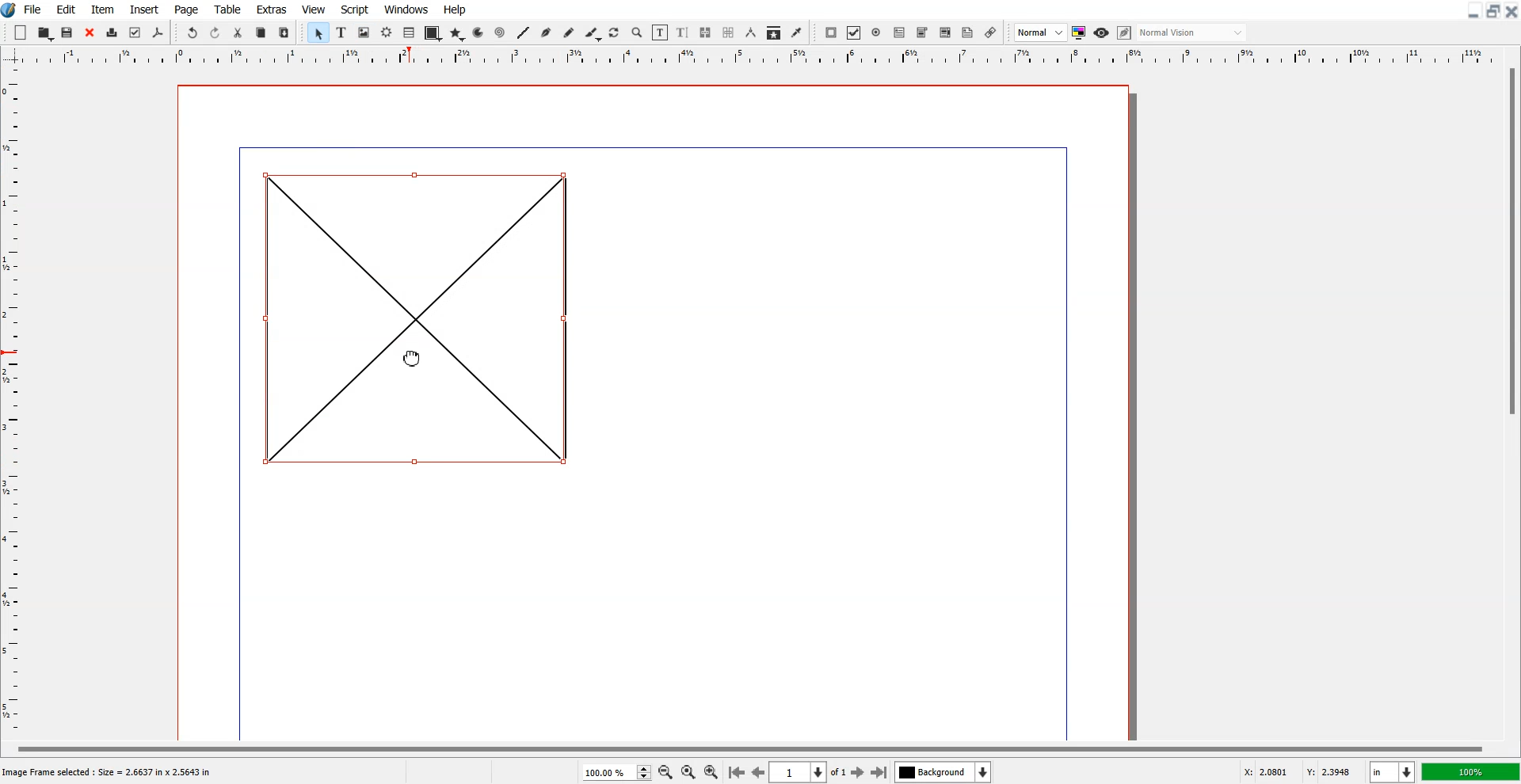 The width and height of the screenshot is (1521, 784). Describe the element at coordinates (135, 33) in the screenshot. I see `Preflight verifier` at that location.